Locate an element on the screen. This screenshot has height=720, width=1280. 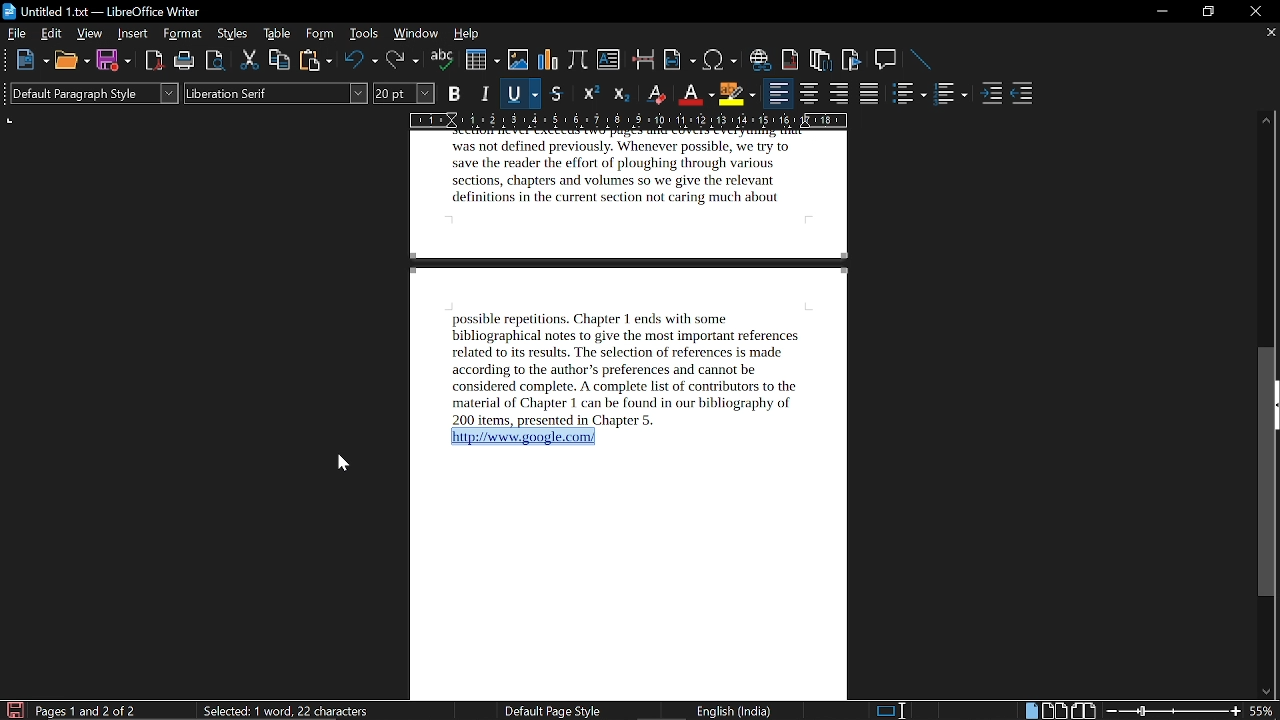
align center is located at coordinates (807, 95).